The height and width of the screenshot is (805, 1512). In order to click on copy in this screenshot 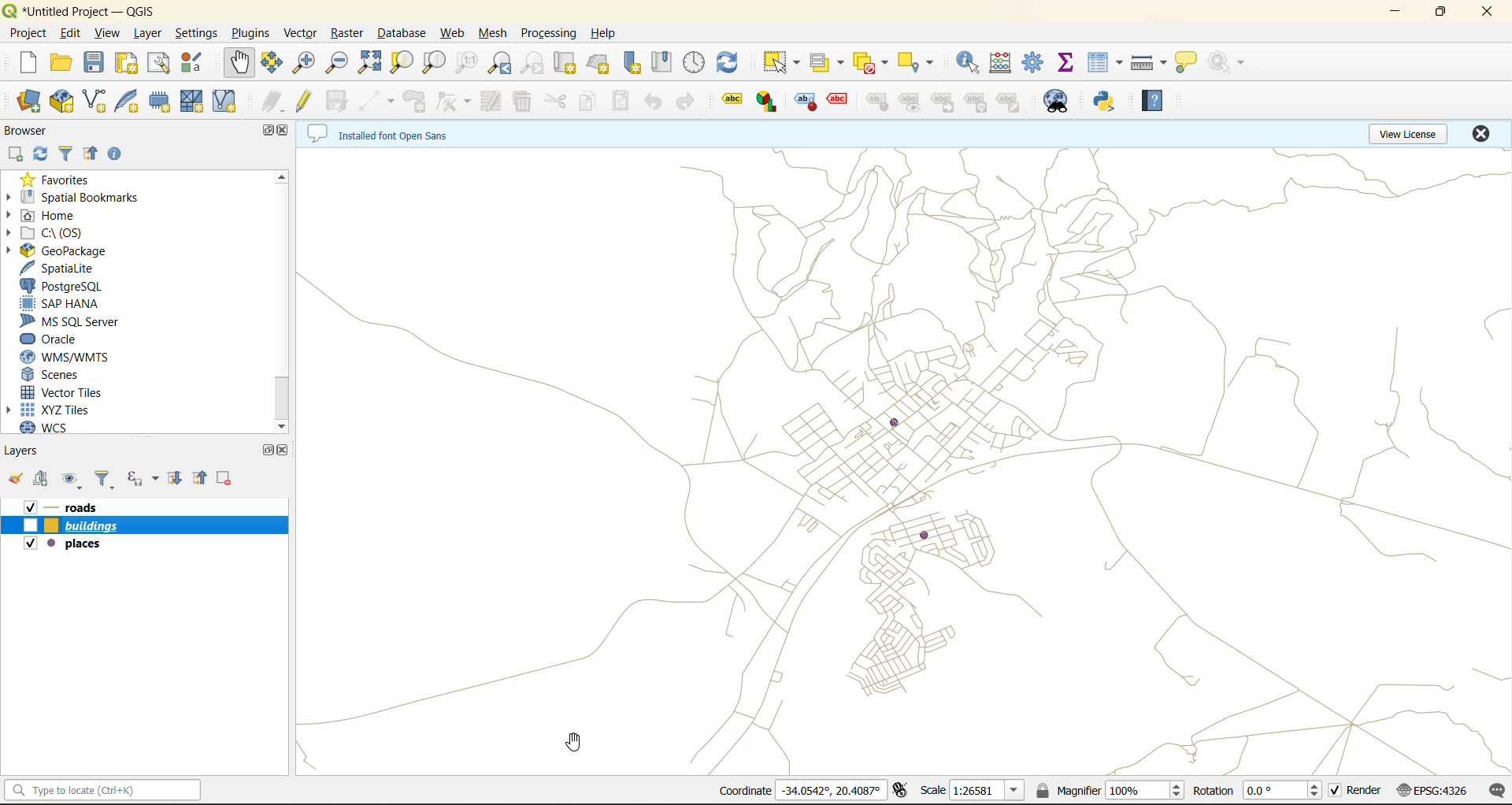, I will do `click(588, 98)`.